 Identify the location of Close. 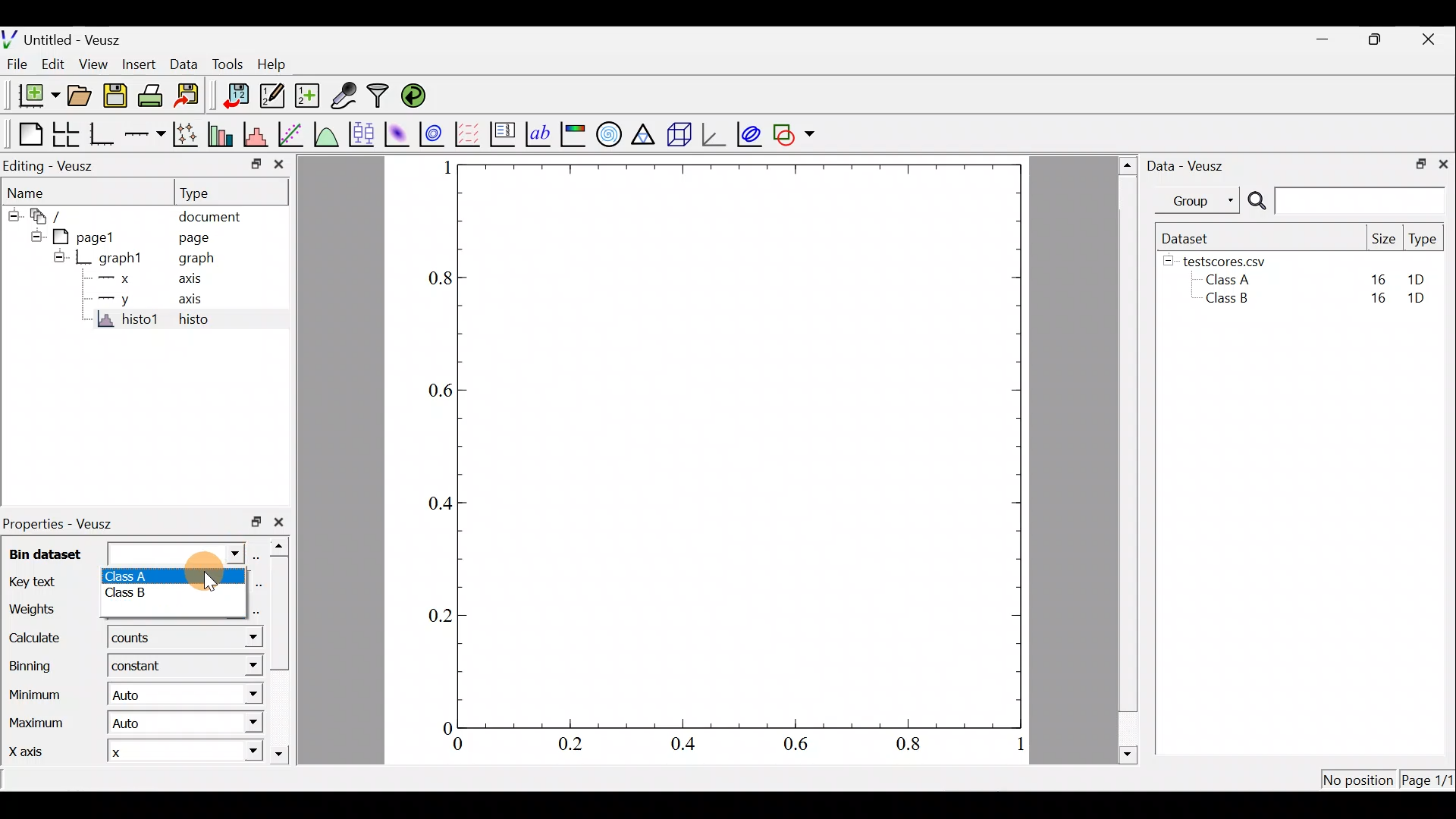
(1432, 38).